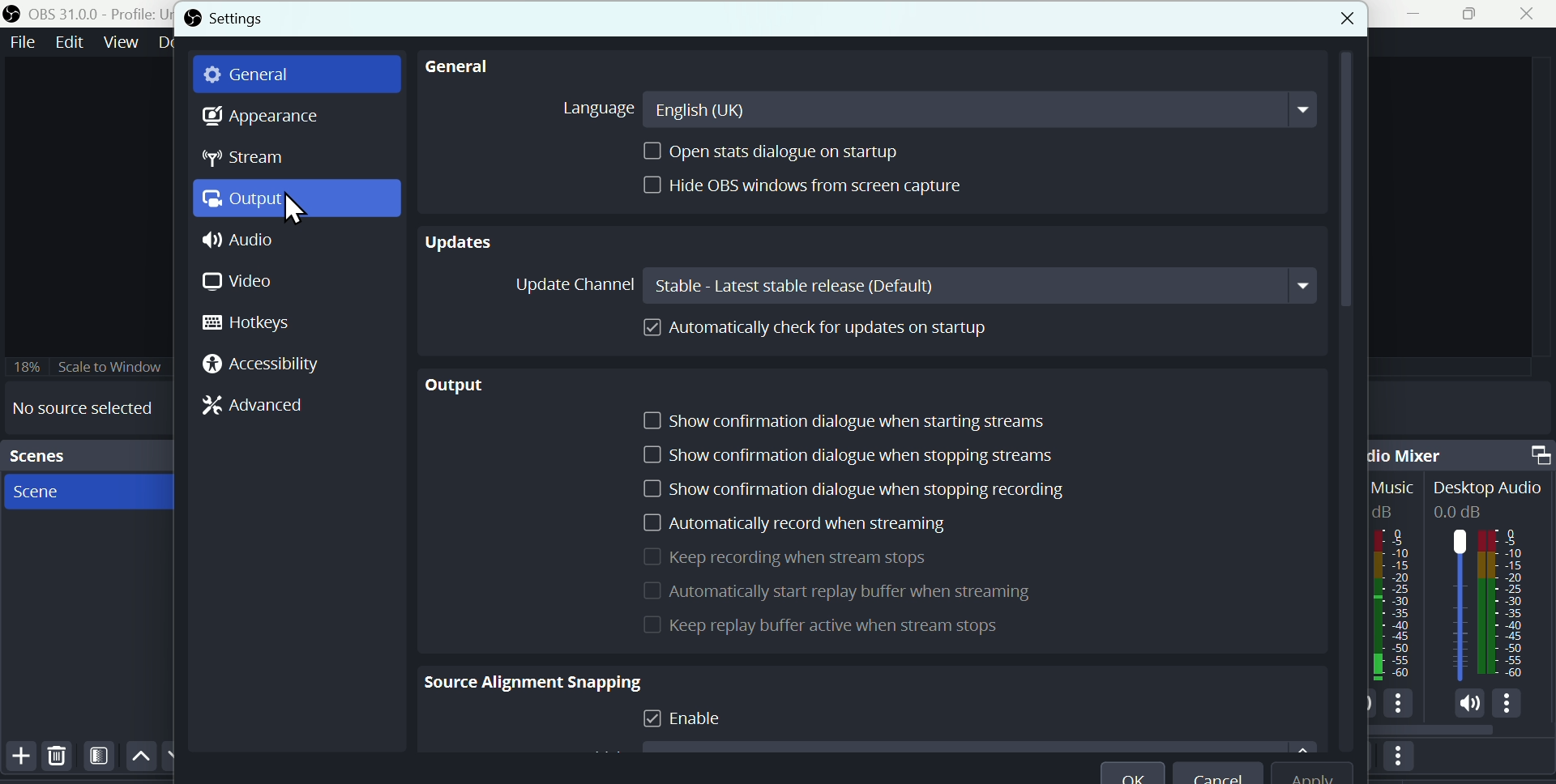  Describe the element at coordinates (477, 245) in the screenshot. I see `Updates` at that location.